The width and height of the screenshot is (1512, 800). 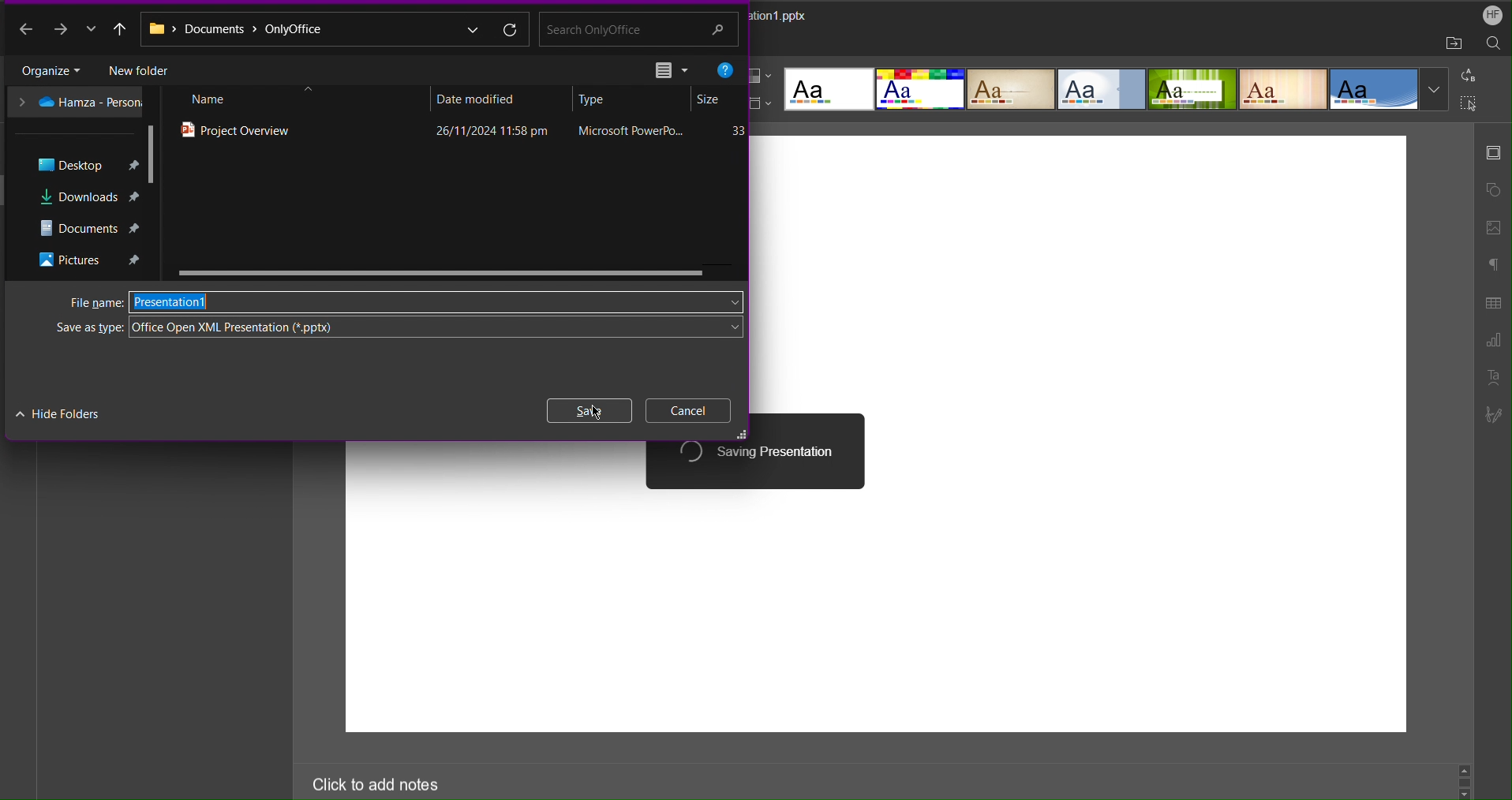 I want to click on Address bar, so click(x=335, y=30).